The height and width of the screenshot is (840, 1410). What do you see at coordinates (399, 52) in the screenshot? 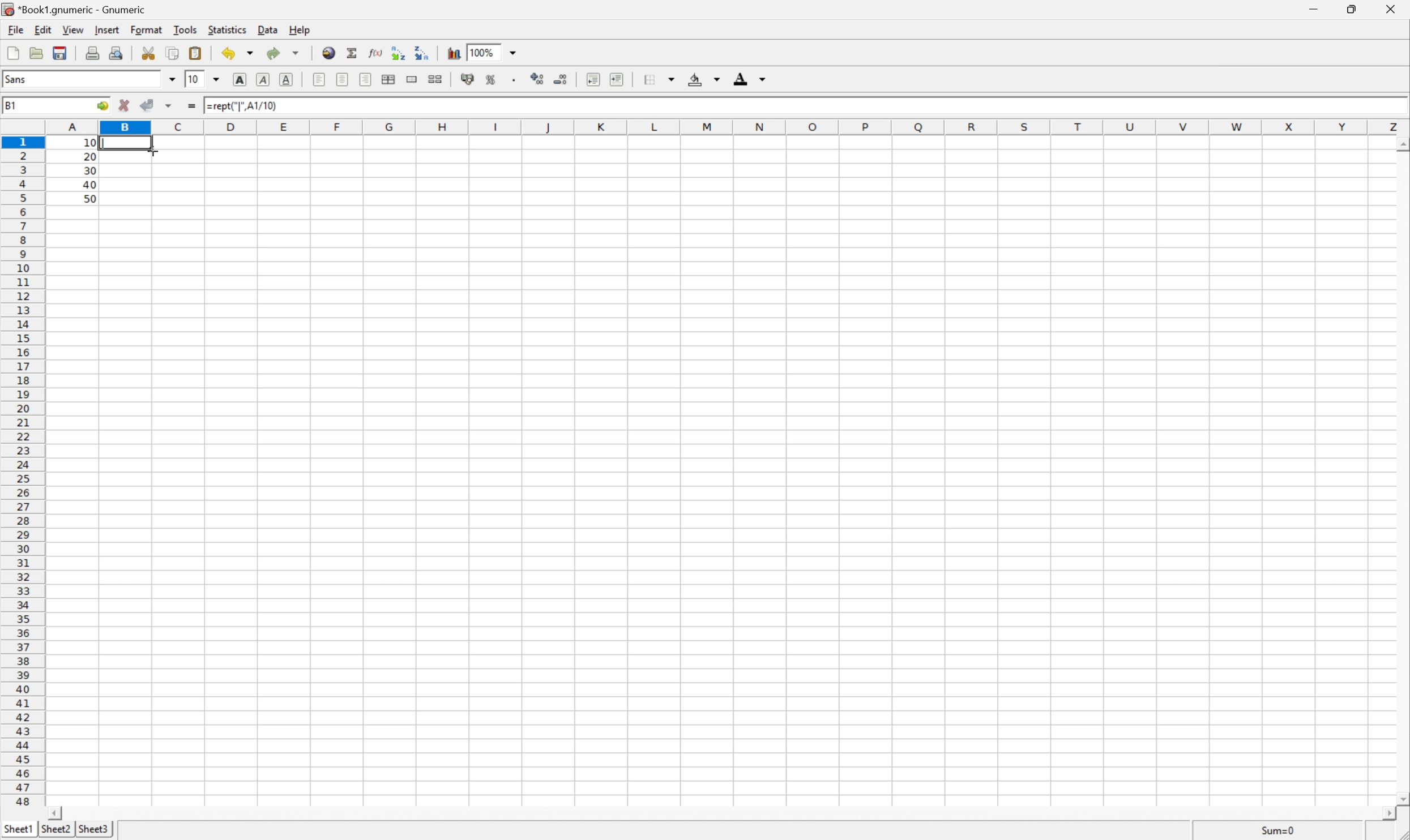
I see `Sort the selected region in ascending order based on the first column selected` at bounding box center [399, 52].